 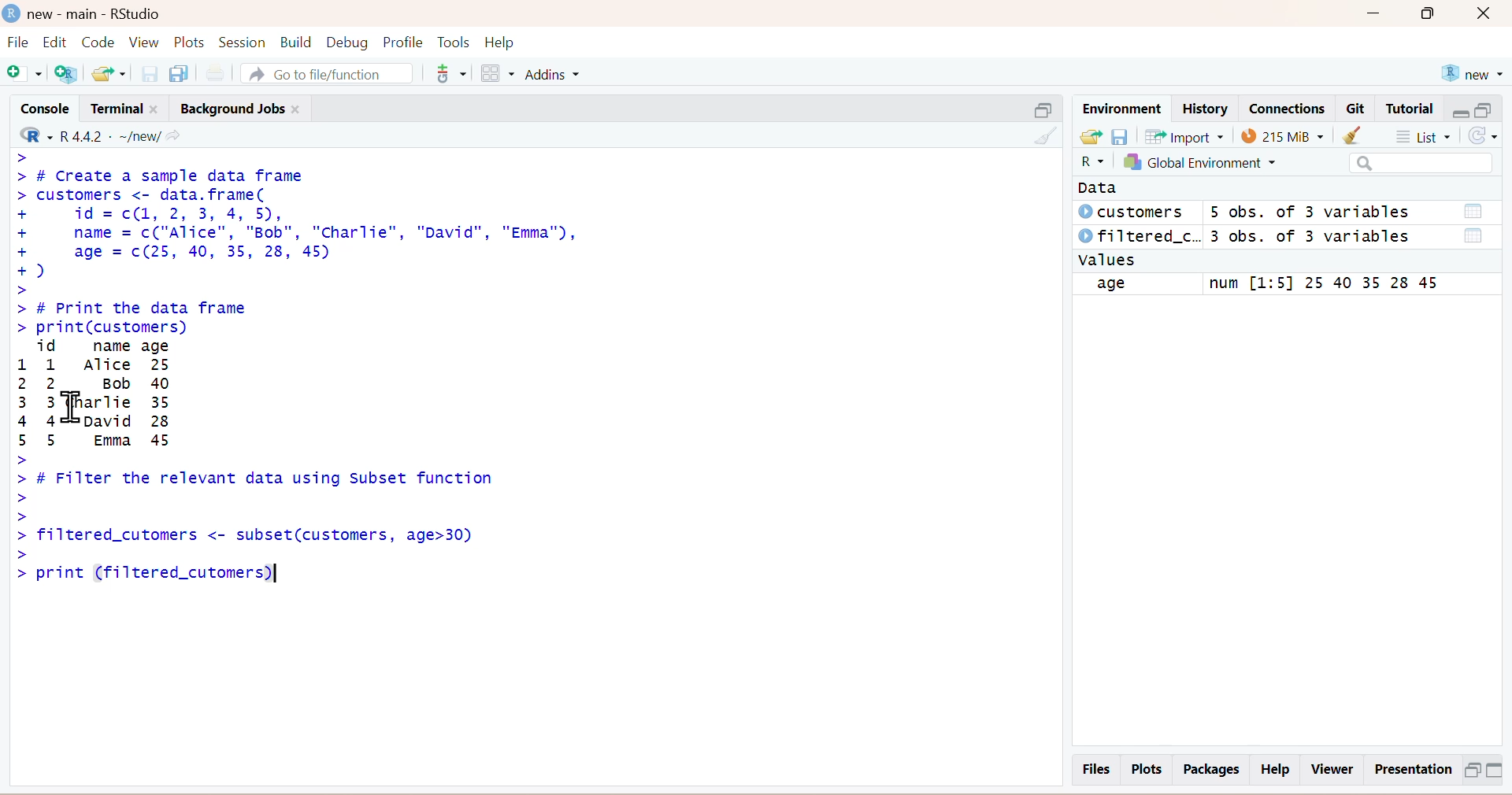 I want to click on  Environment, so click(x=1121, y=107).